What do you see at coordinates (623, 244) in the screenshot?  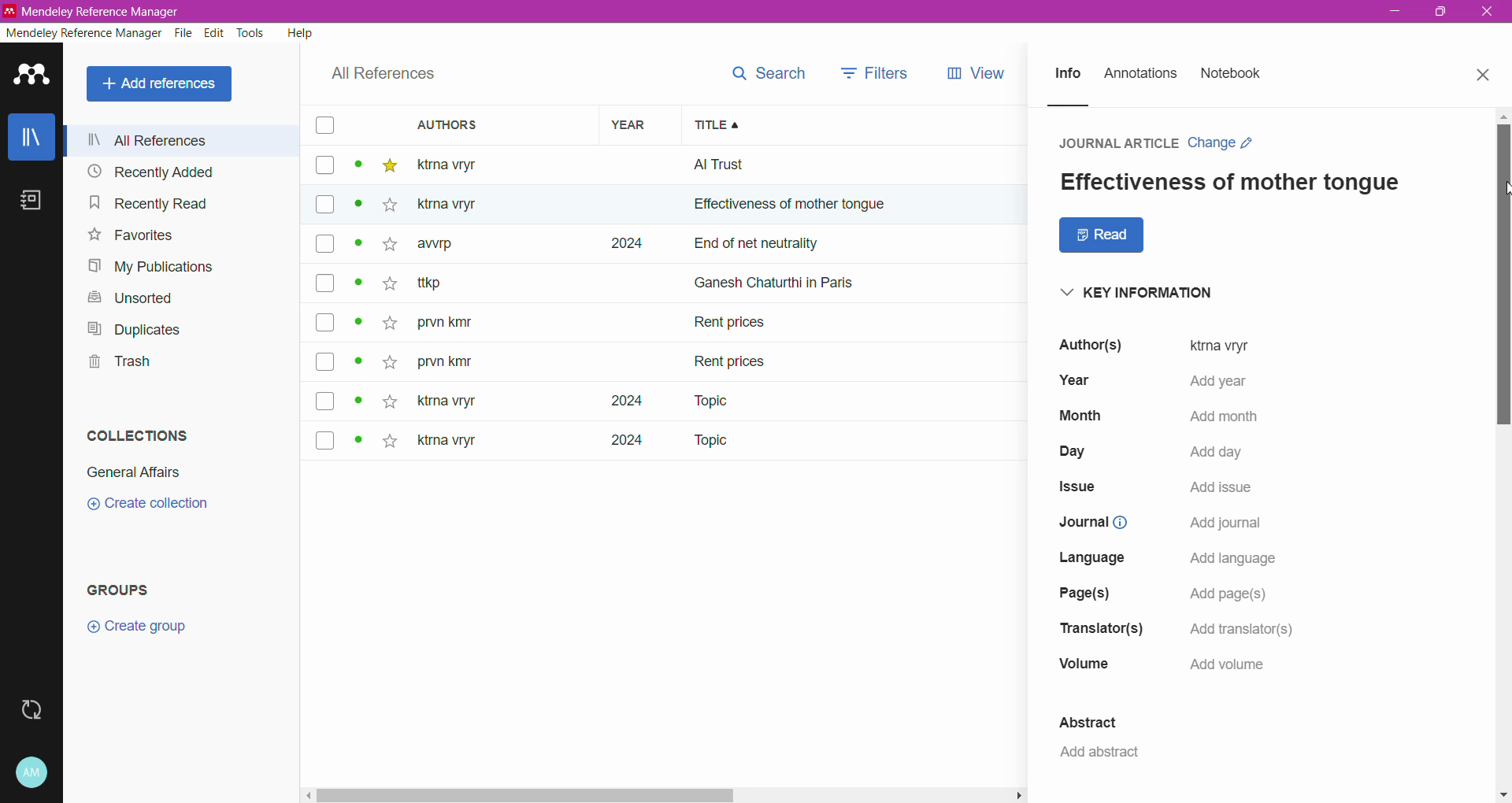 I see `2024` at bounding box center [623, 244].